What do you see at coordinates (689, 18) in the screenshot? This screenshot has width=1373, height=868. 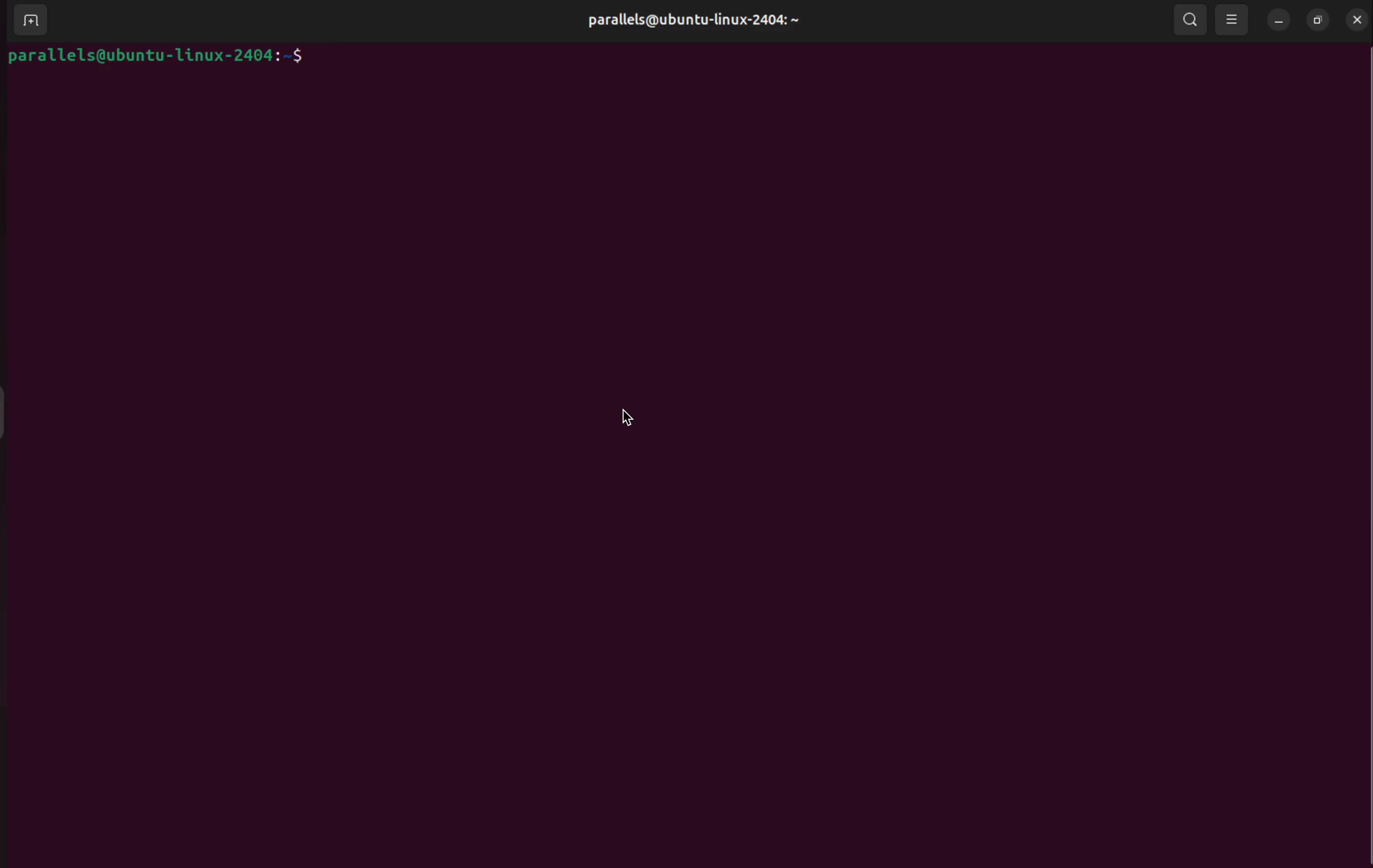 I see `parallels@ubuntu` at bounding box center [689, 18].